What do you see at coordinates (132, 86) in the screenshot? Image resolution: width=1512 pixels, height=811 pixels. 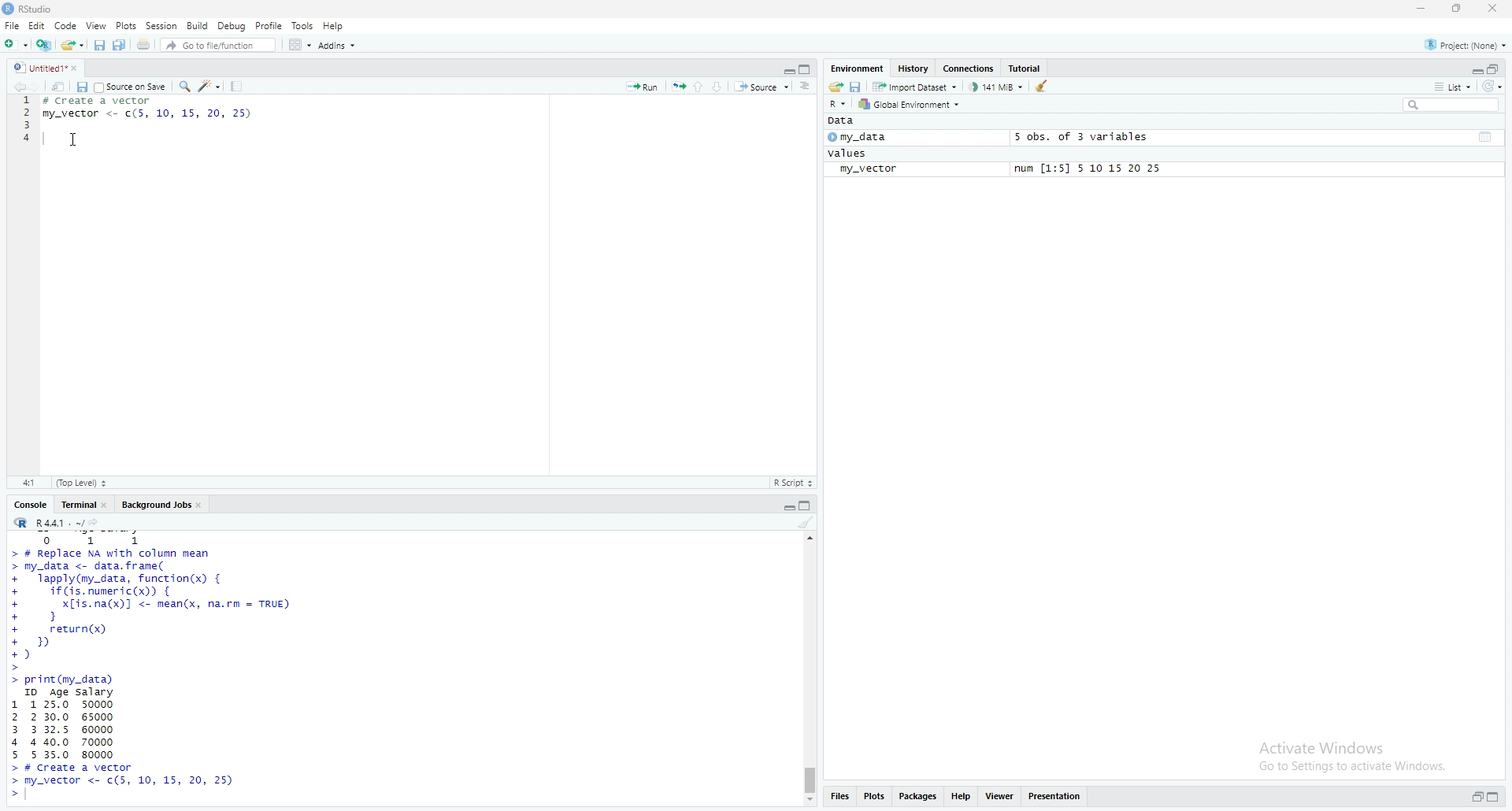 I see `source on save` at bounding box center [132, 86].